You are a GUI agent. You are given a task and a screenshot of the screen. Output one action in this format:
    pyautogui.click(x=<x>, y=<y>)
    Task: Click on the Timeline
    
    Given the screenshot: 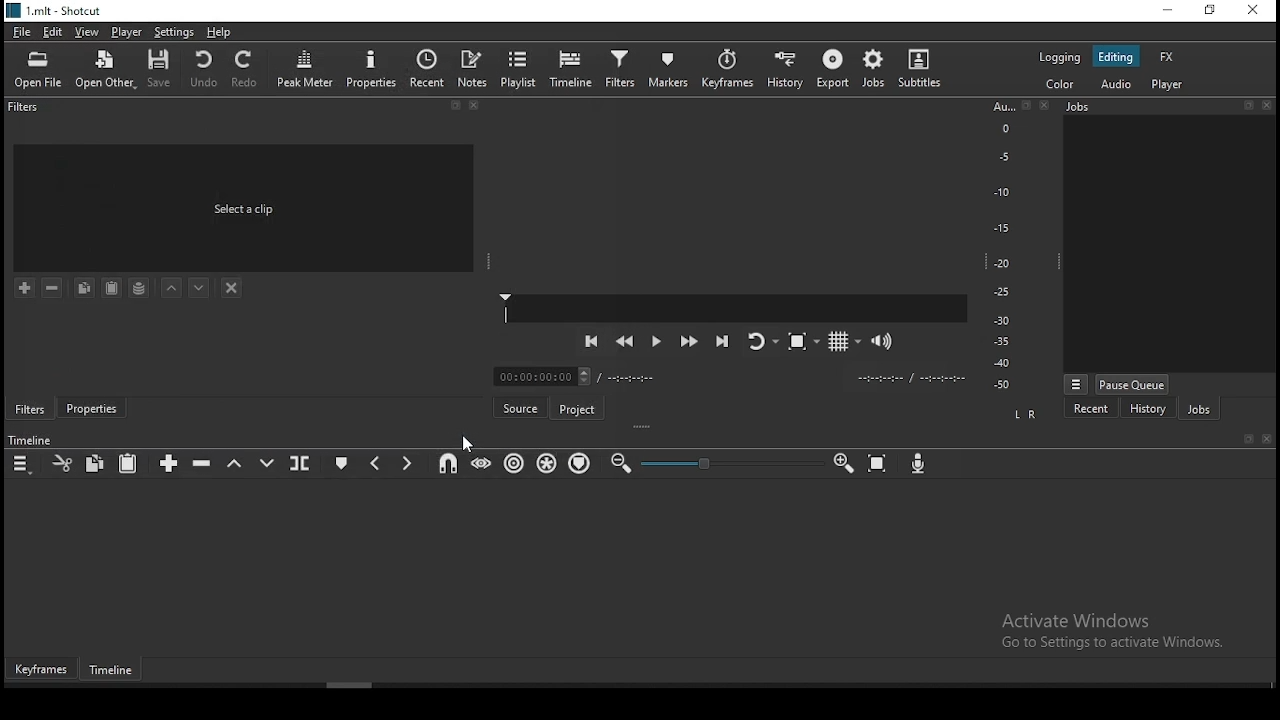 What is the action you would take?
    pyautogui.click(x=32, y=440)
    